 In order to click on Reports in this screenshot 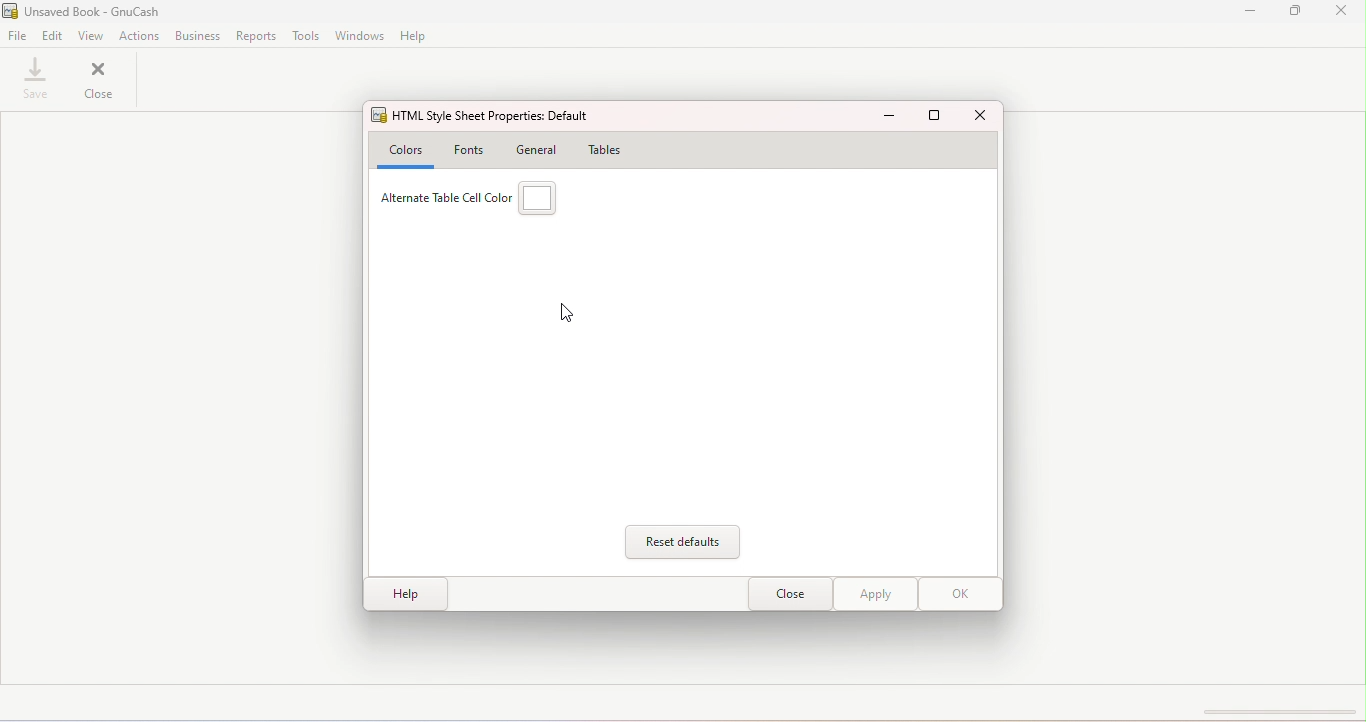, I will do `click(255, 37)`.